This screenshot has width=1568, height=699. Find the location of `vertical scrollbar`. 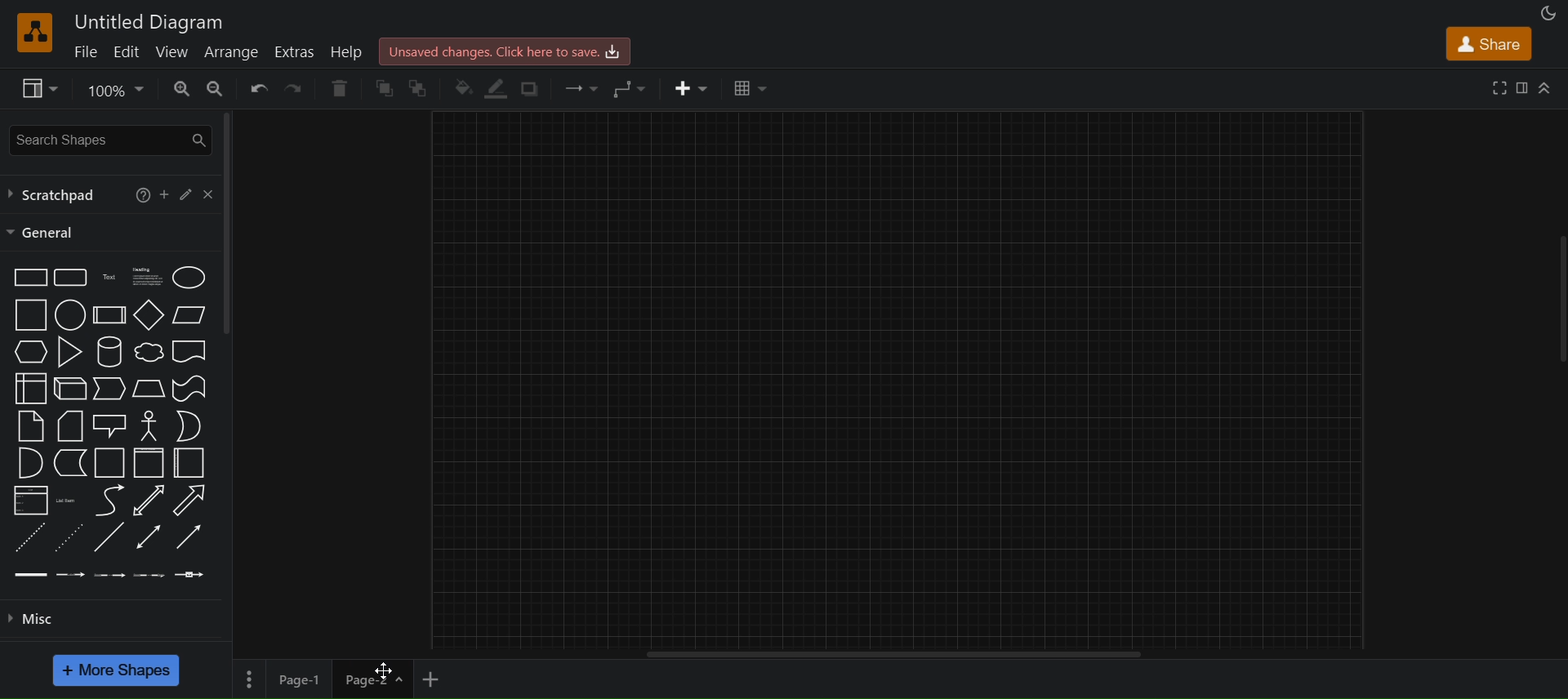

vertical scrollbar is located at coordinates (1561, 280).